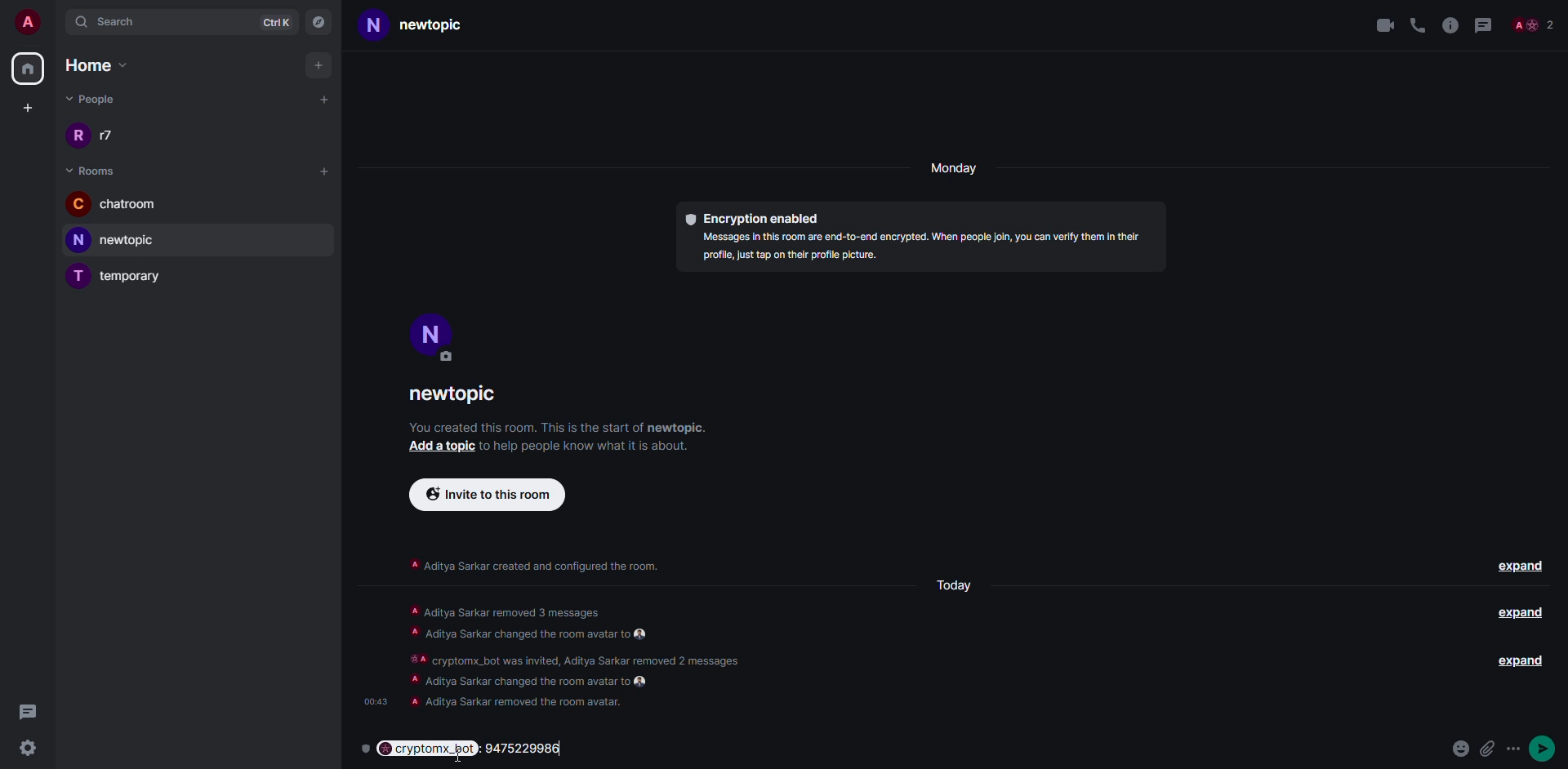 This screenshot has width=1568, height=769. I want to click on r7, so click(99, 137).